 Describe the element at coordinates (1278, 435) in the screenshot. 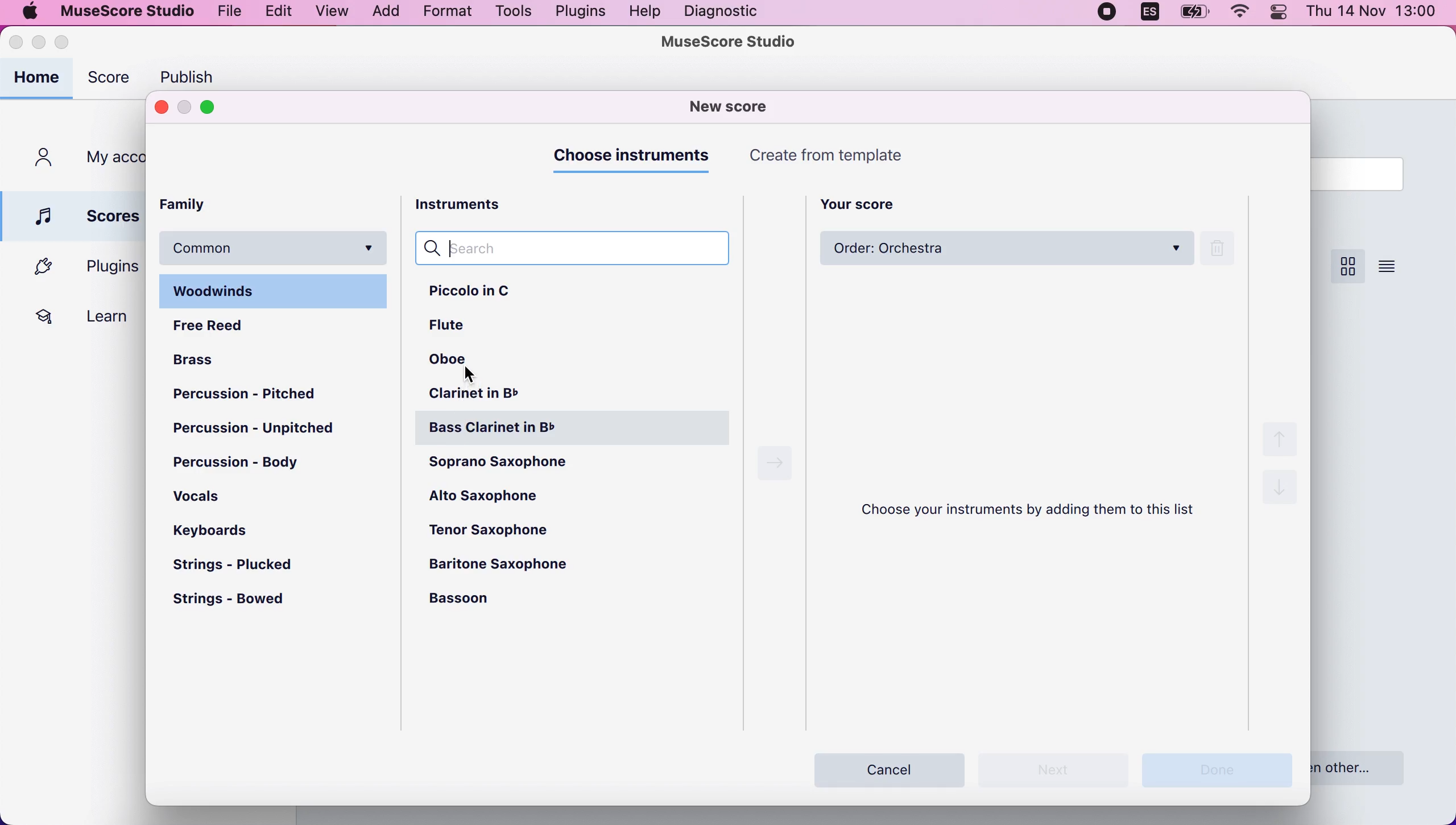

I see `up ` at that location.